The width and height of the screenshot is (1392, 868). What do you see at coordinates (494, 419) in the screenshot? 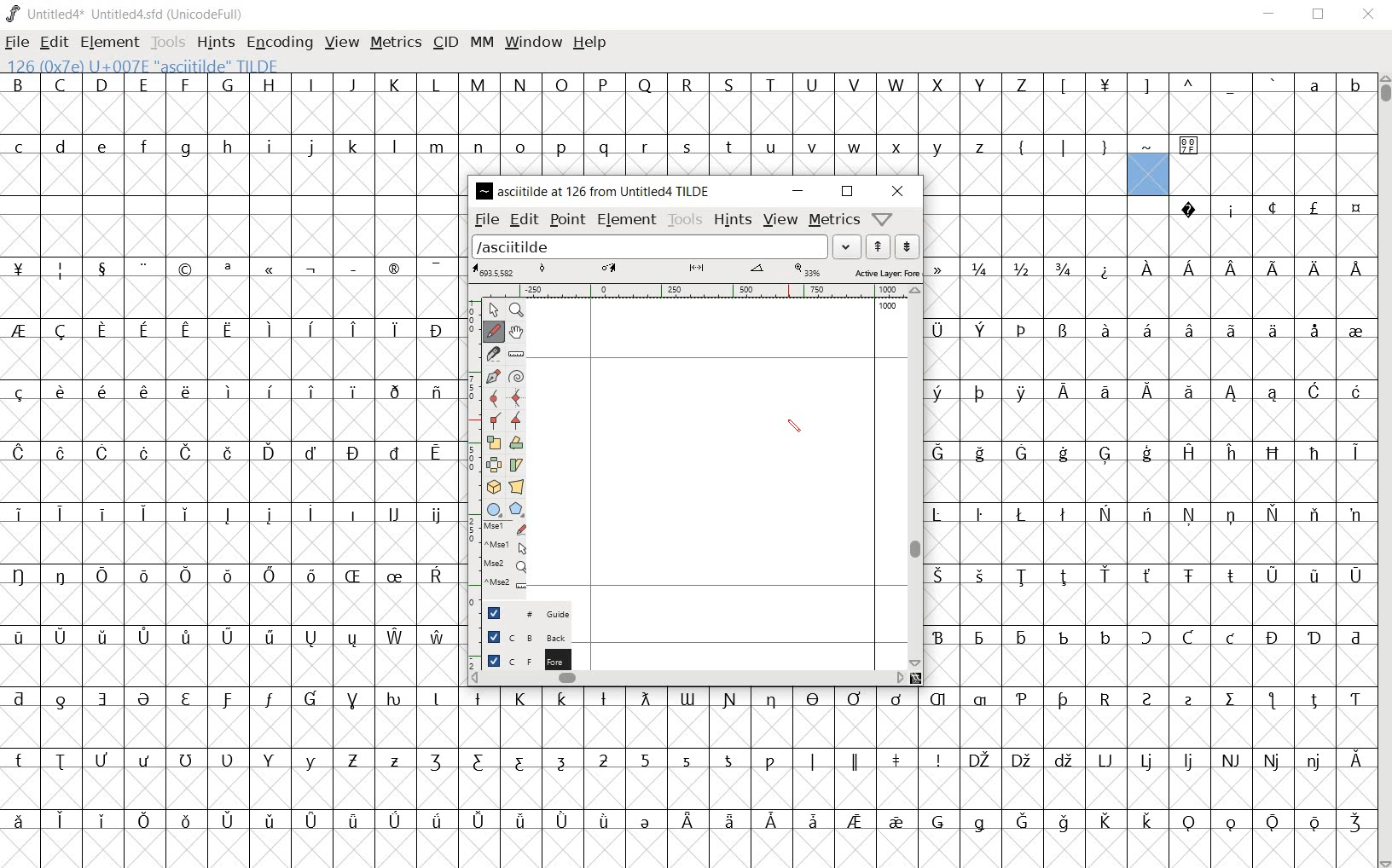
I see `Add a corner point` at bounding box center [494, 419].